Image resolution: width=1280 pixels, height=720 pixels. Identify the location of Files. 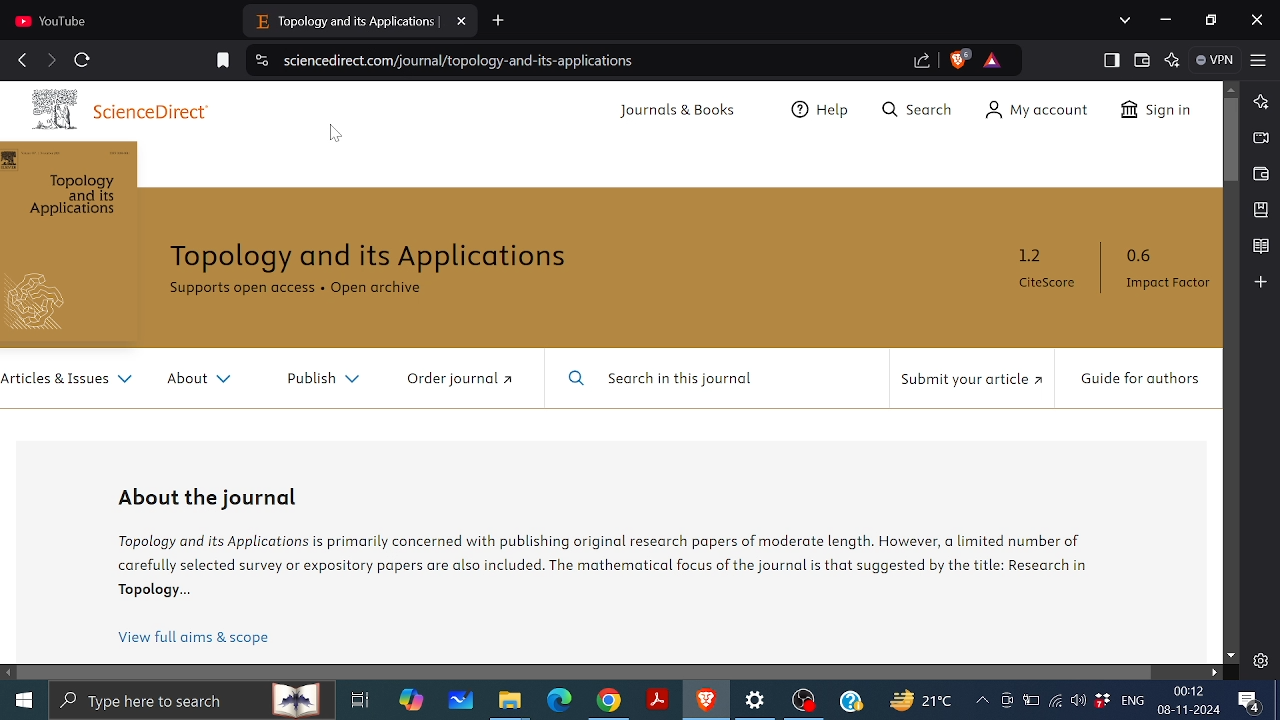
(510, 702).